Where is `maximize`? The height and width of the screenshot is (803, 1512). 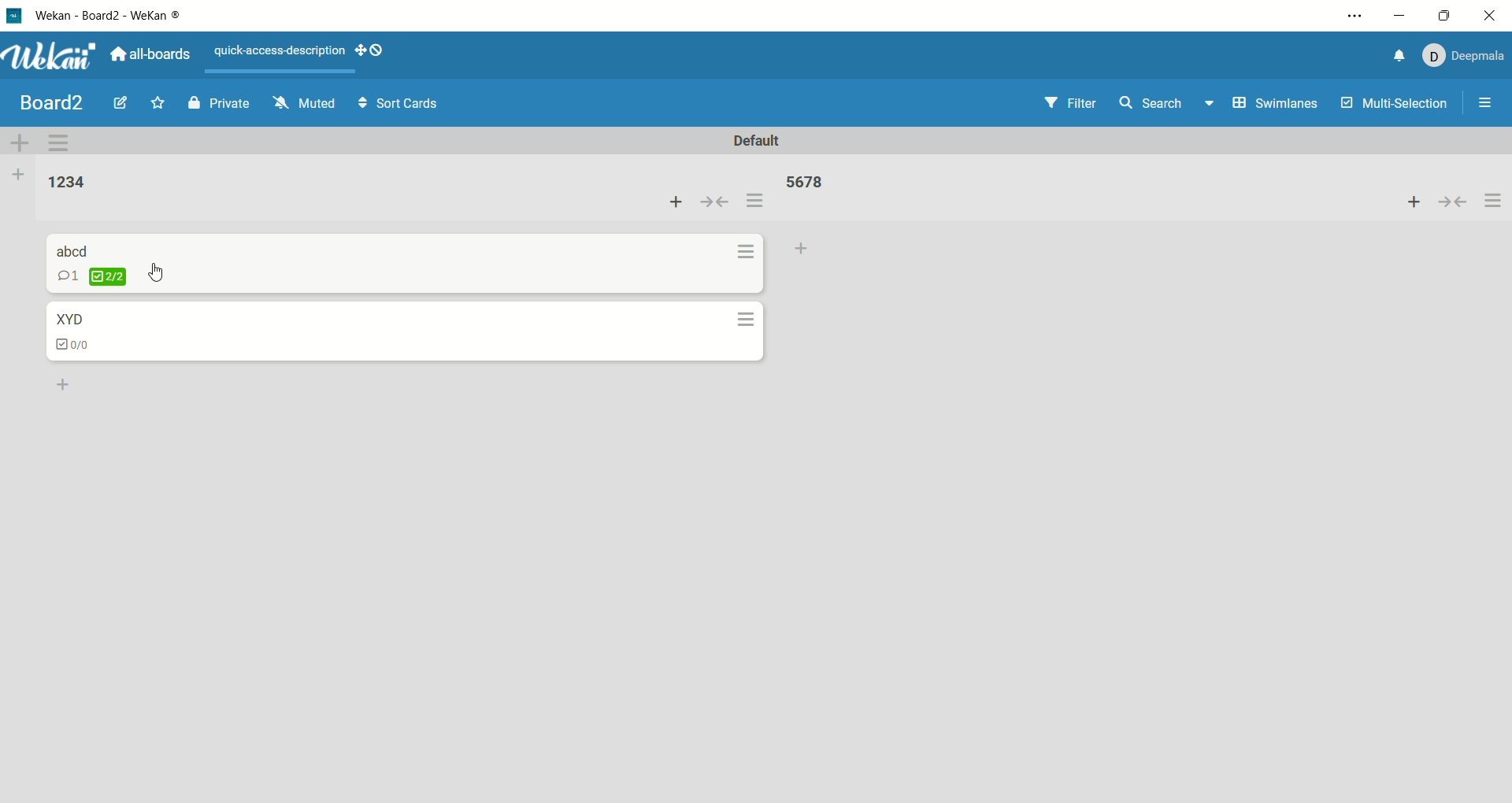 maximize is located at coordinates (1443, 14).